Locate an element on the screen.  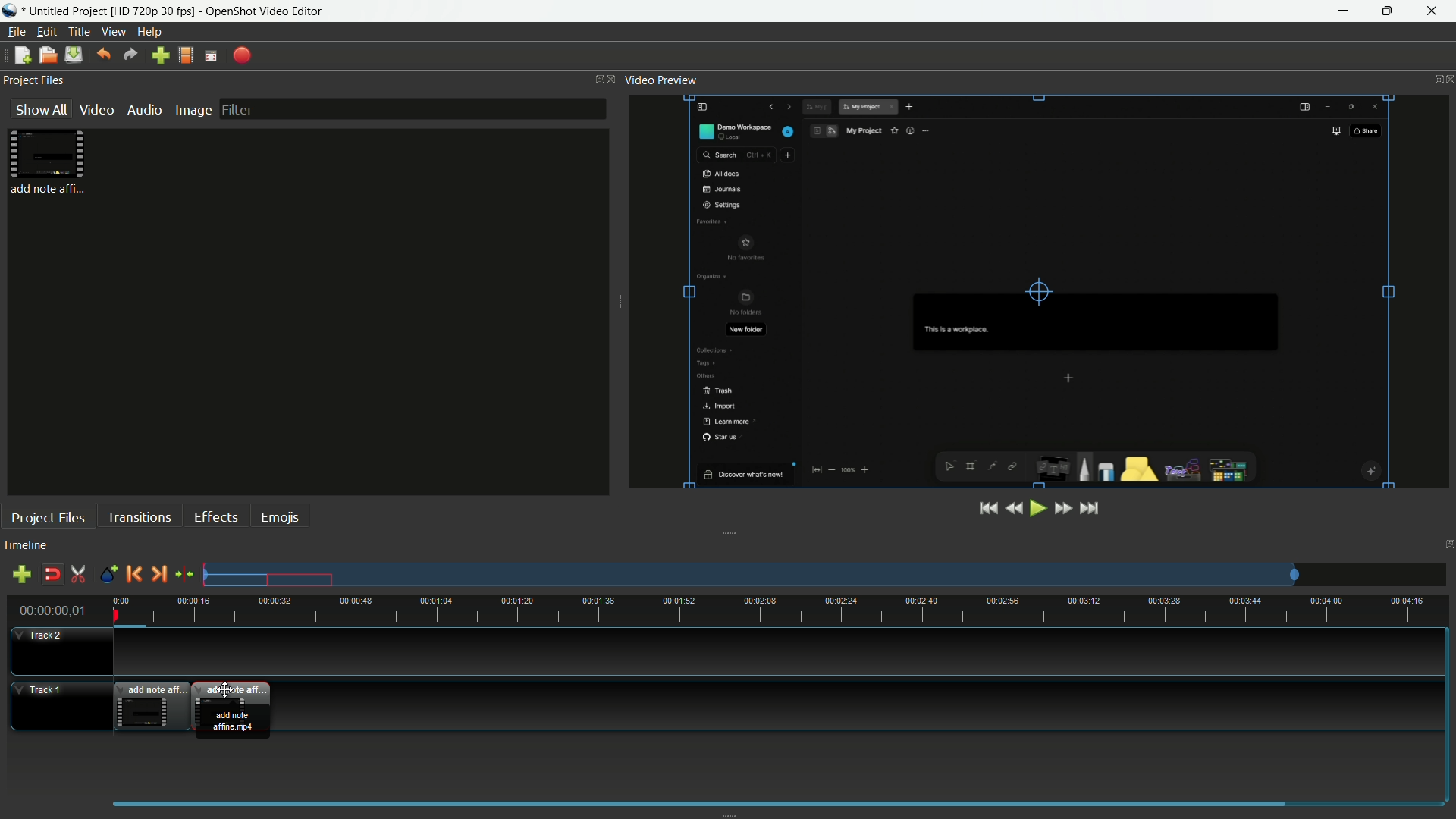
import files is located at coordinates (159, 56).